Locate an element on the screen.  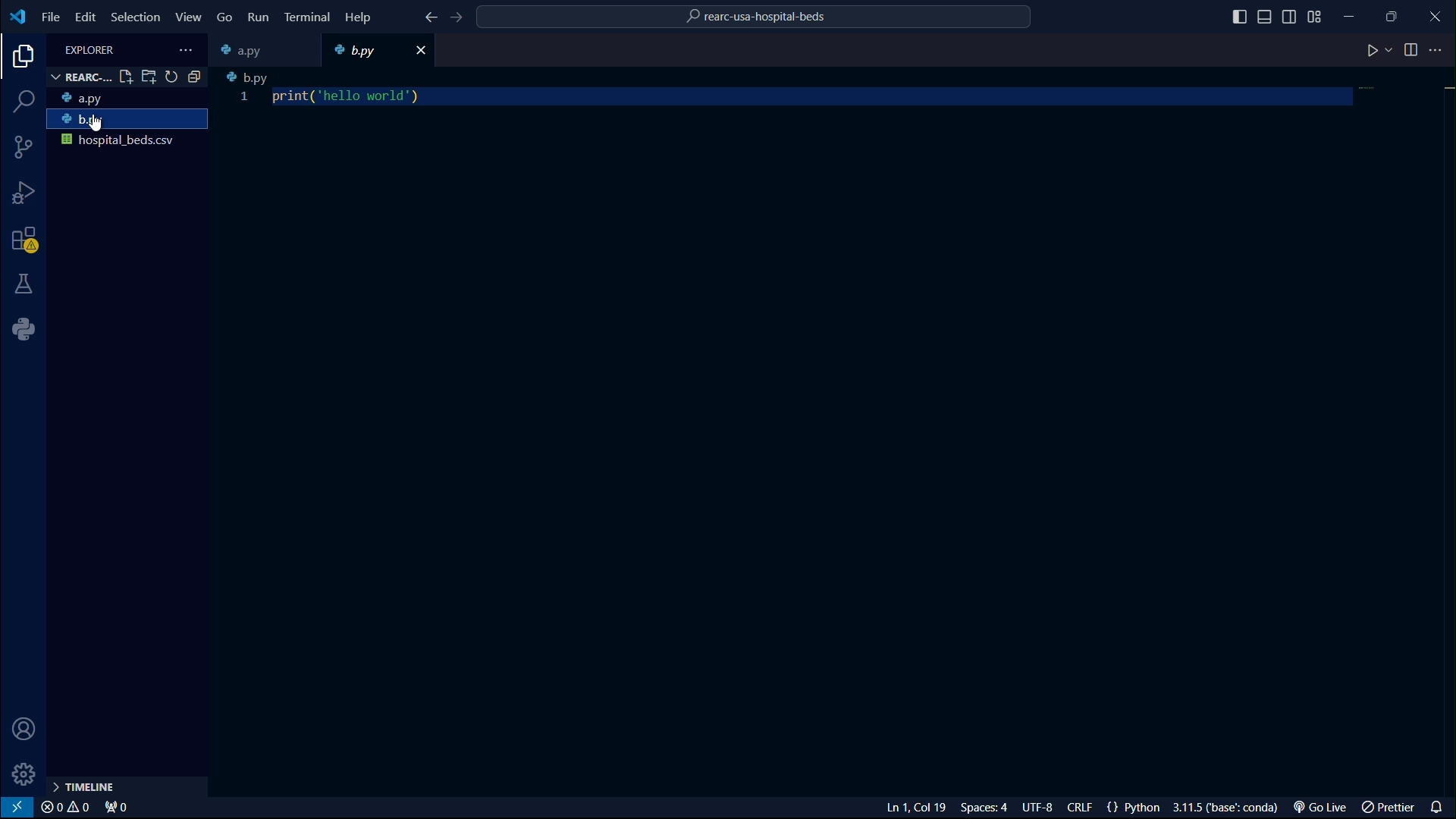
terminal menu is located at coordinates (308, 18).